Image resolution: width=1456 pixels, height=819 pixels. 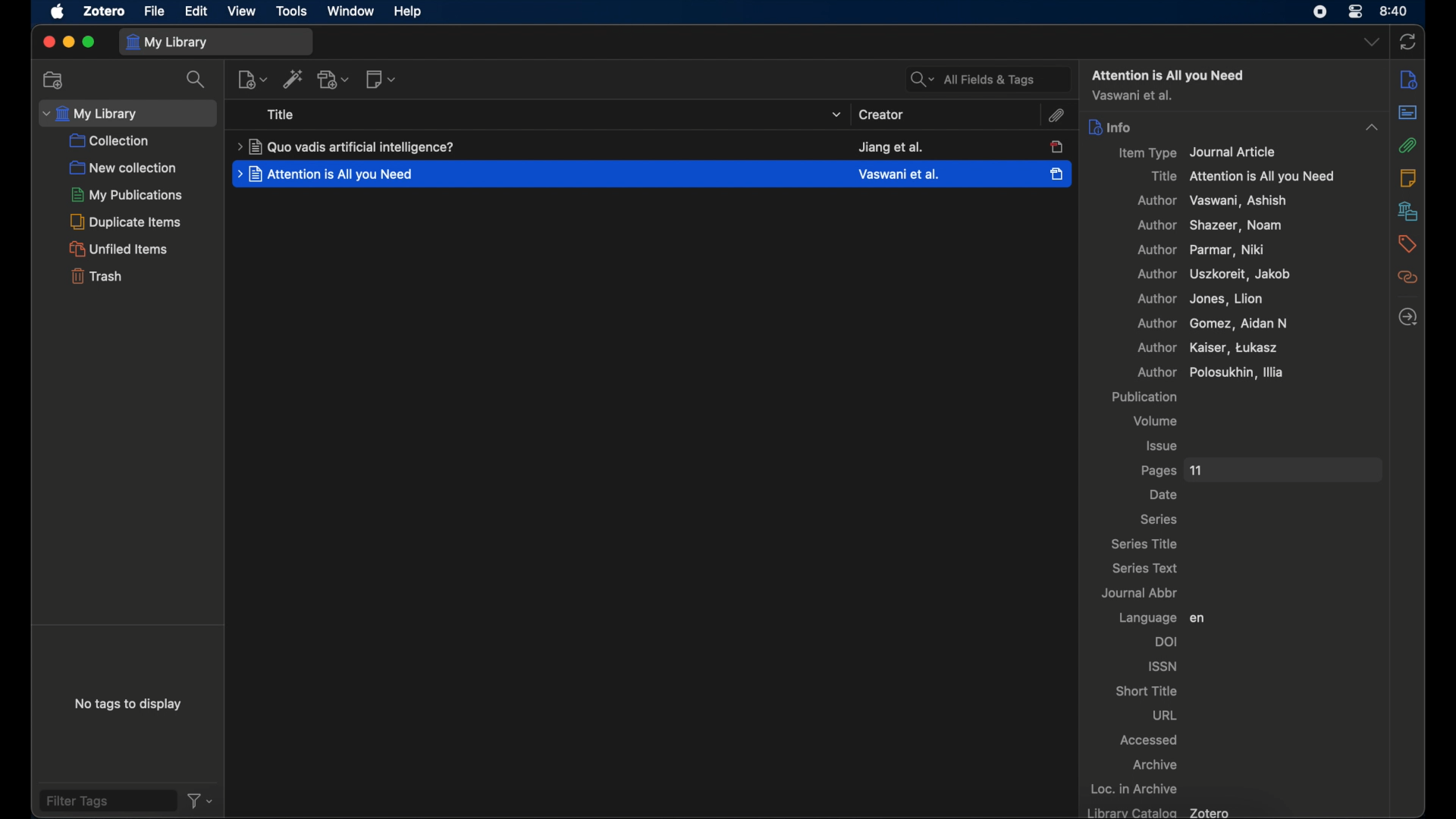 I want to click on view, so click(x=243, y=11).